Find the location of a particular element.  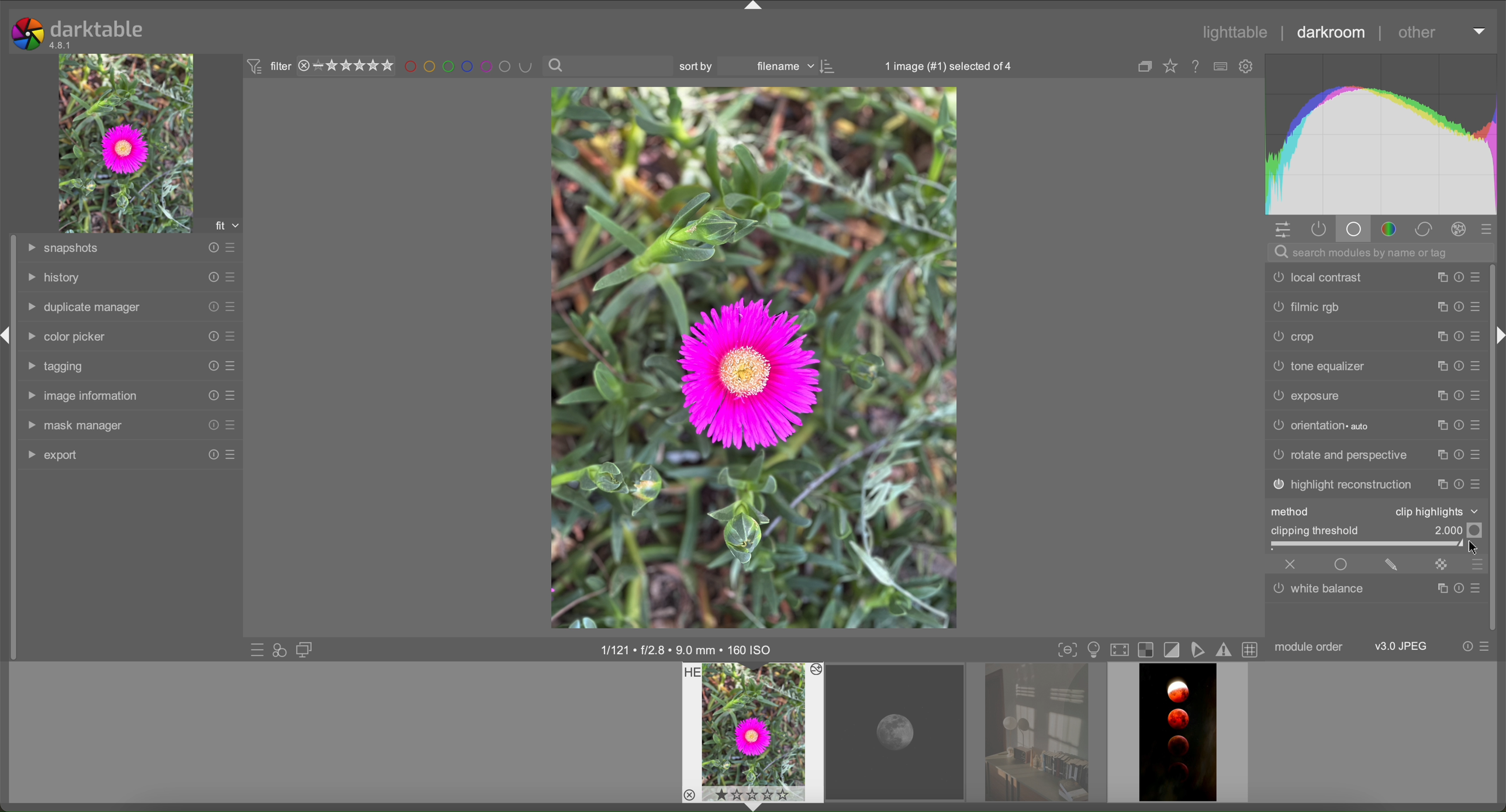

reset presets is located at coordinates (1456, 367).